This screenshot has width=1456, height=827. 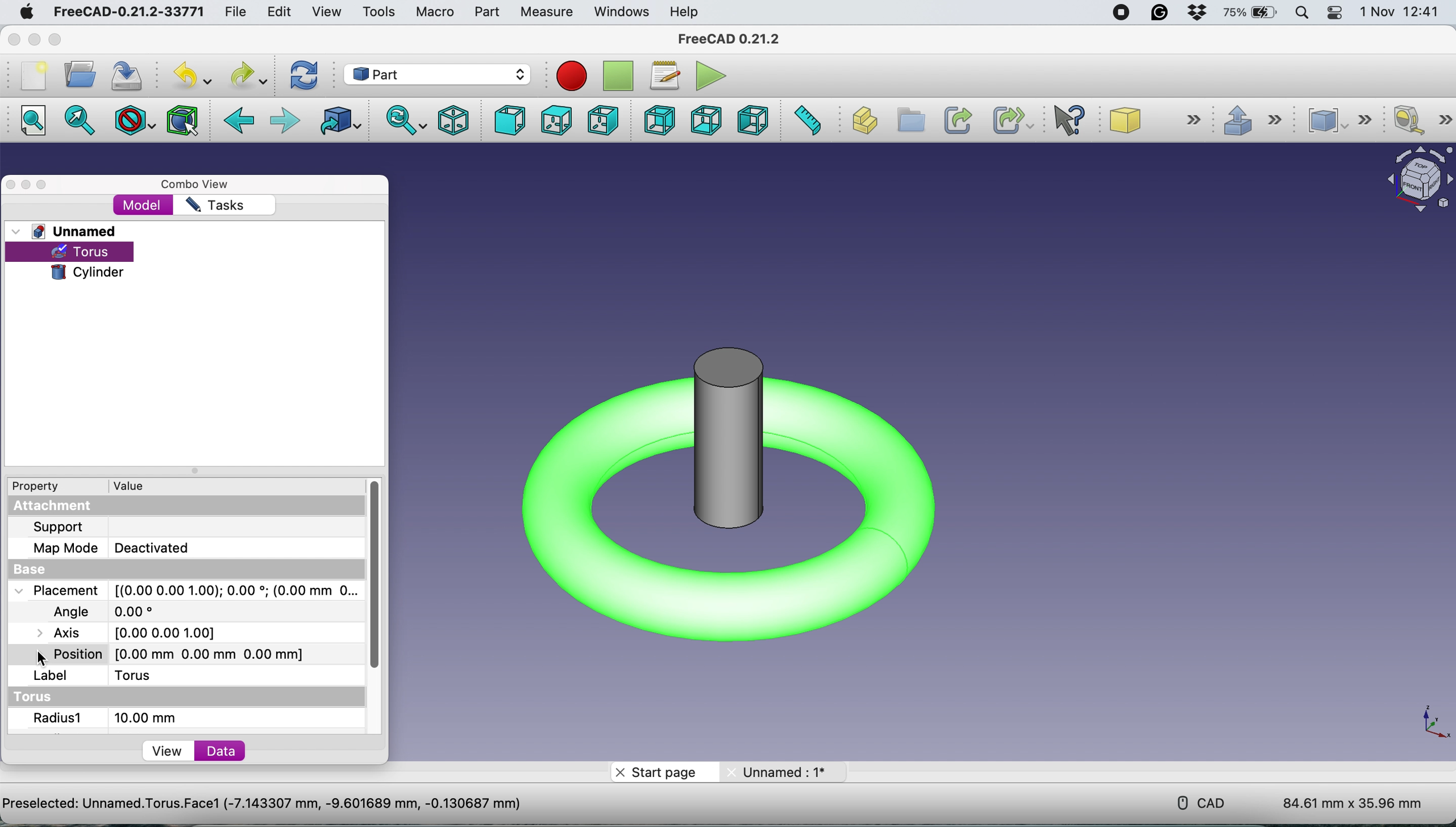 I want to click on cad, so click(x=1203, y=802).